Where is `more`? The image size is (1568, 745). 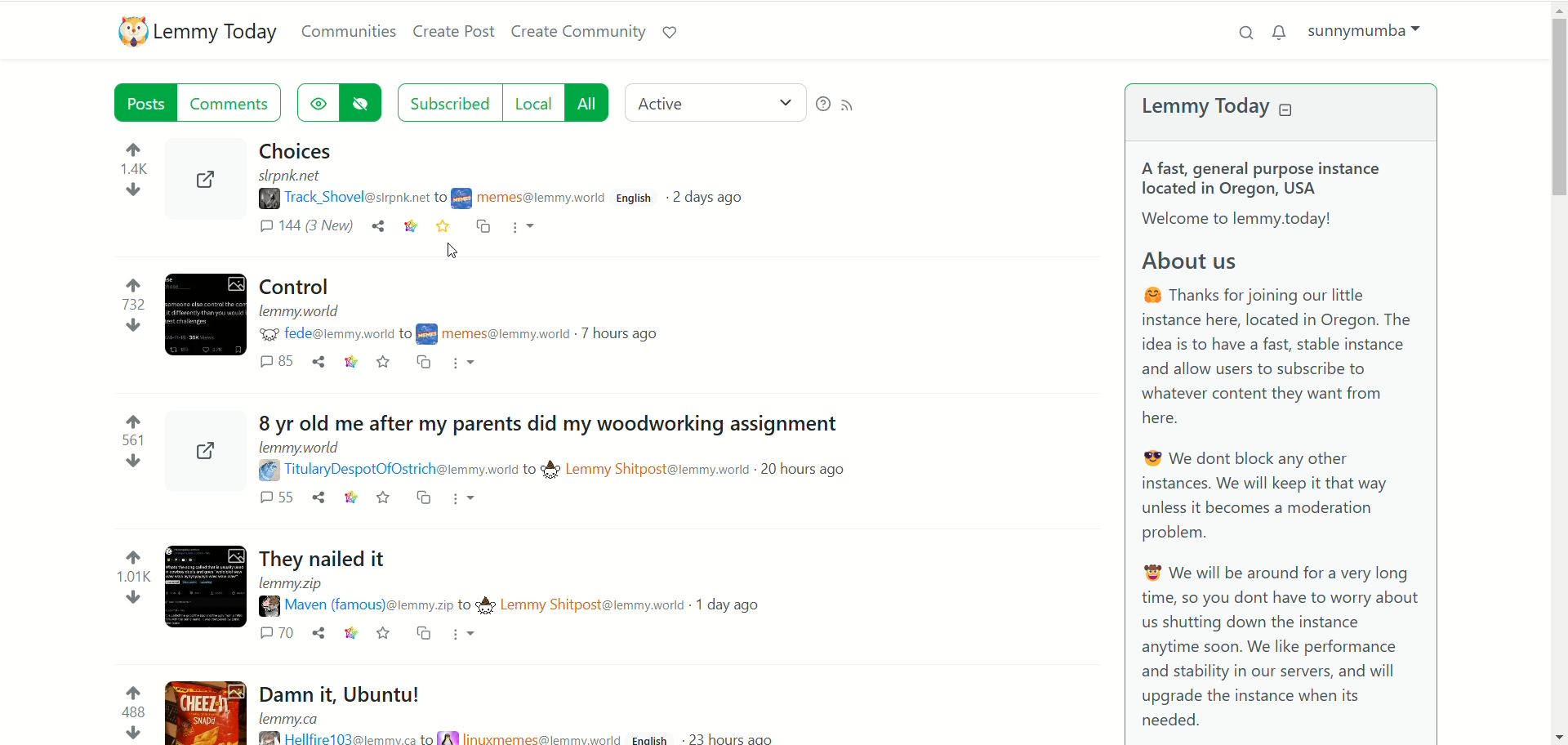
more is located at coordinates (528, 228).